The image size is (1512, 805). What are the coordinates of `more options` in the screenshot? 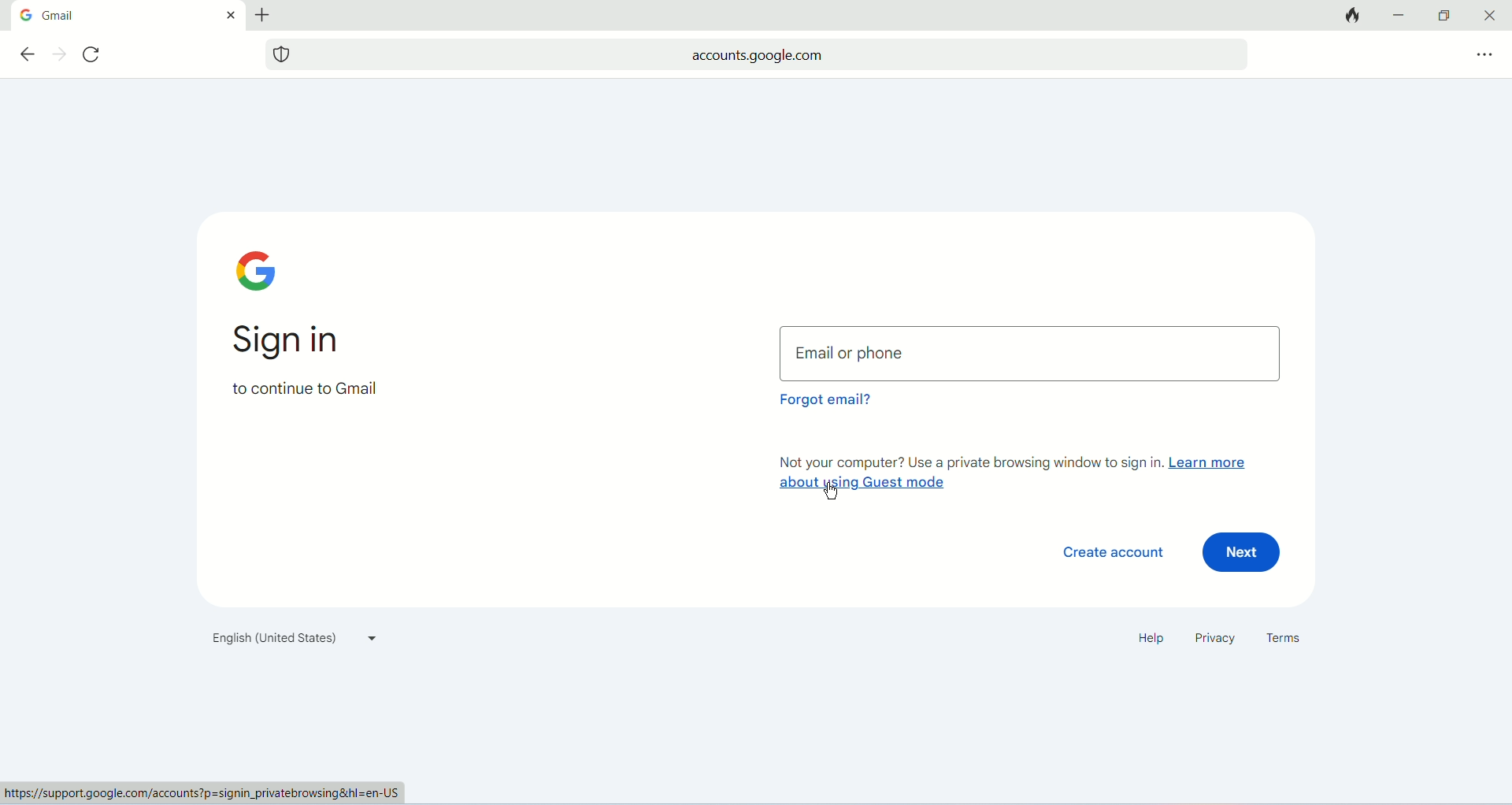 It's located at (1482, 54).